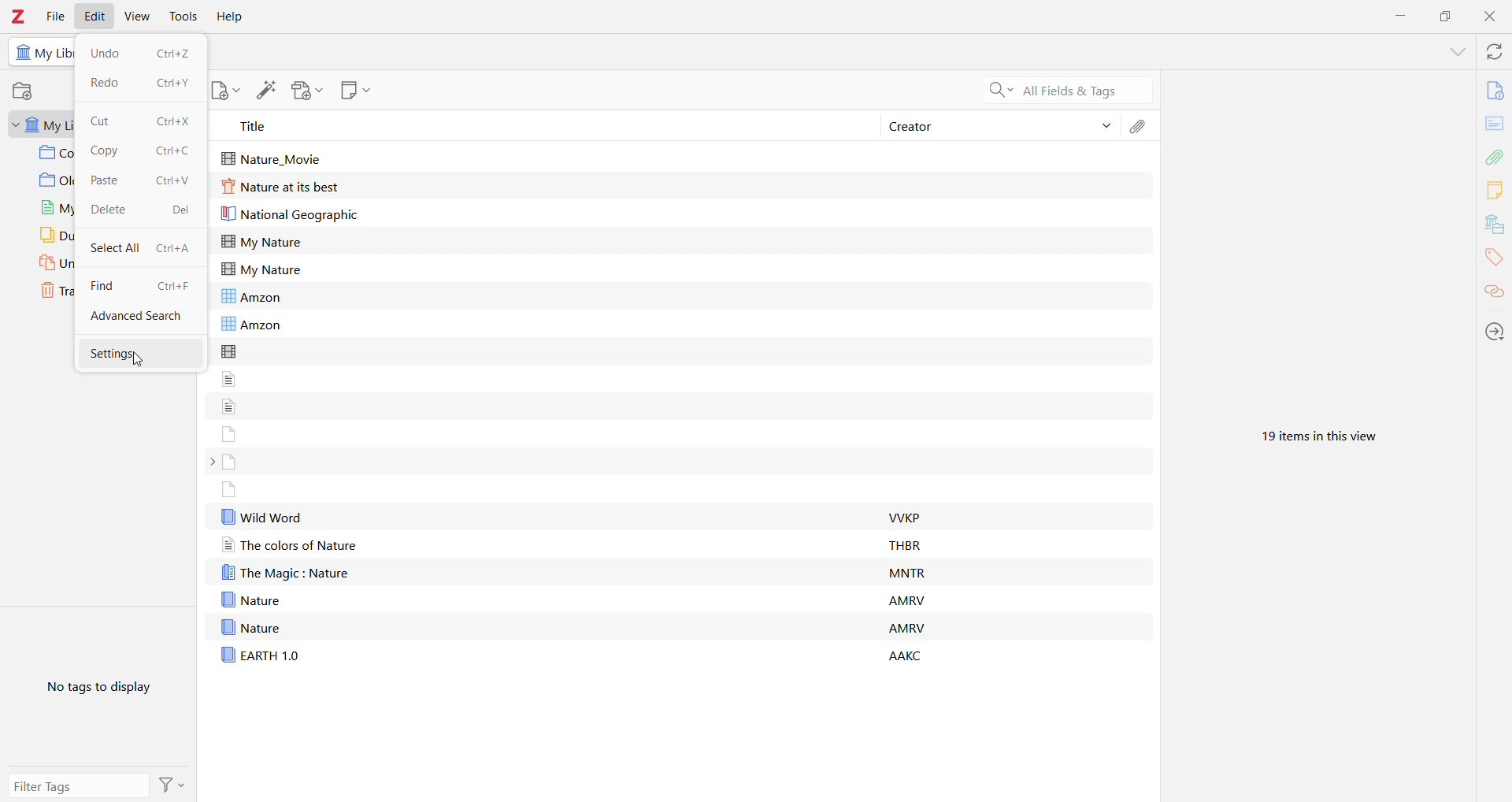 This screenshot has height=802, width=1512. Describe the element at coordinates (296, 215) in the screenshot. I see `National Geographic` at that location.